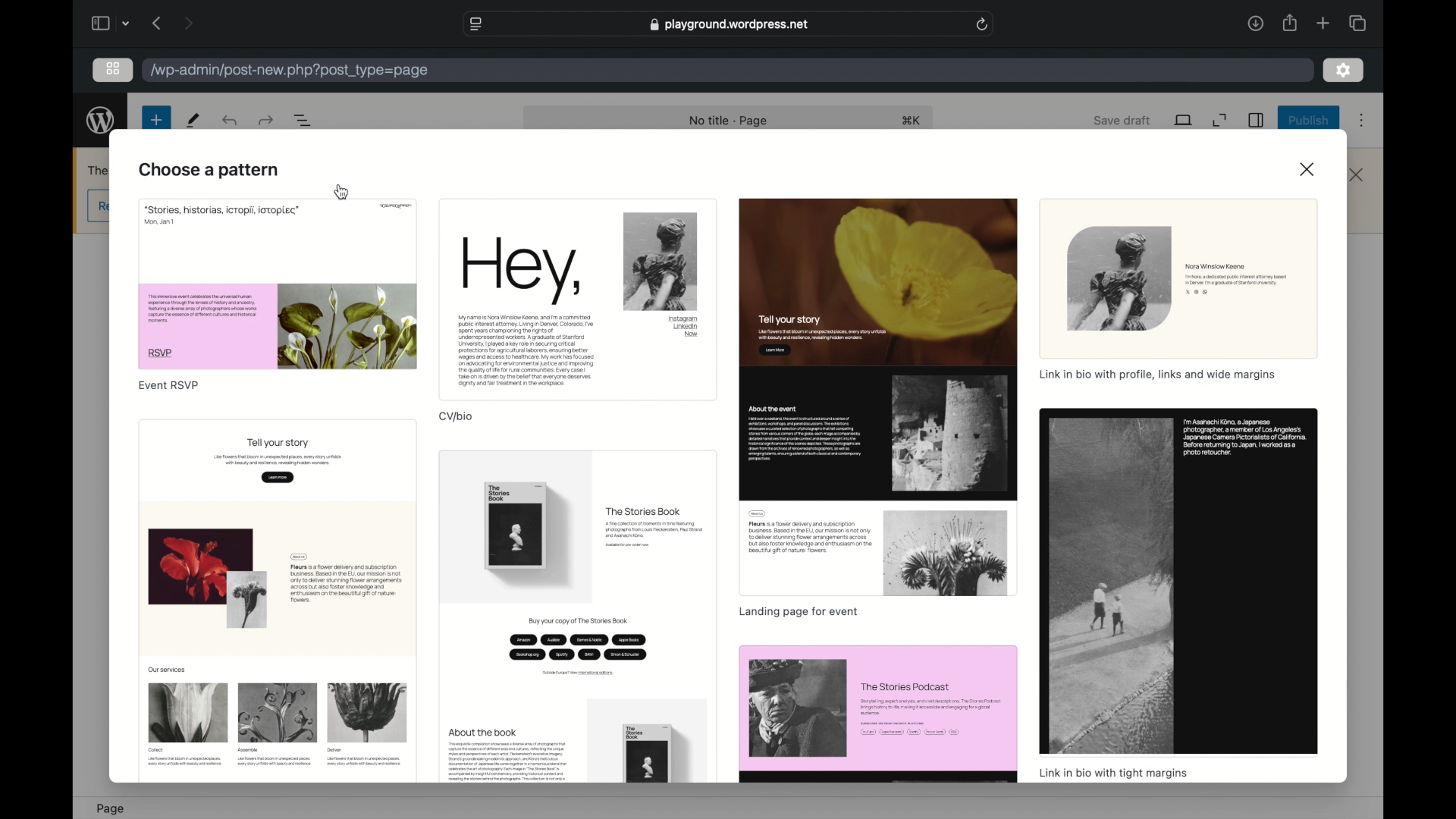  What do you see at coordinates (1179, 581) in the screenshot?
I see `preview` at bounding box center [1179, 581].